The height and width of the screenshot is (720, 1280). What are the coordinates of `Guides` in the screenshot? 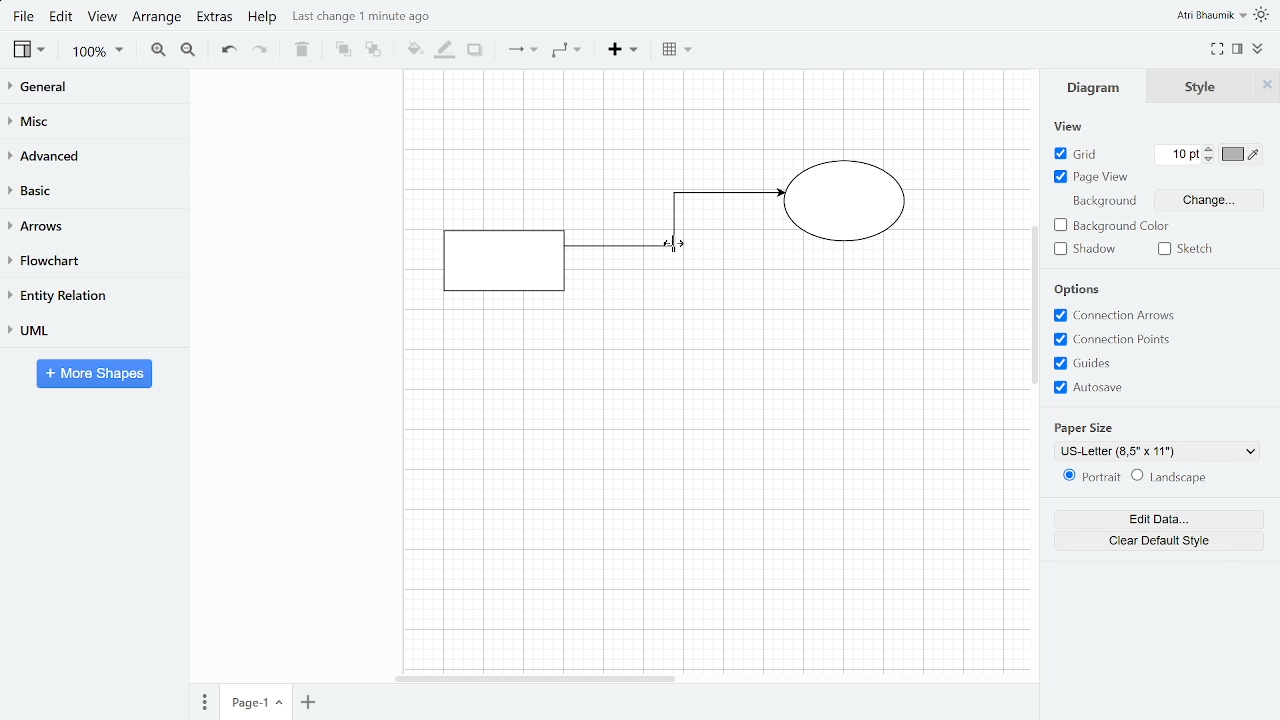 It's located at (1120, 363).